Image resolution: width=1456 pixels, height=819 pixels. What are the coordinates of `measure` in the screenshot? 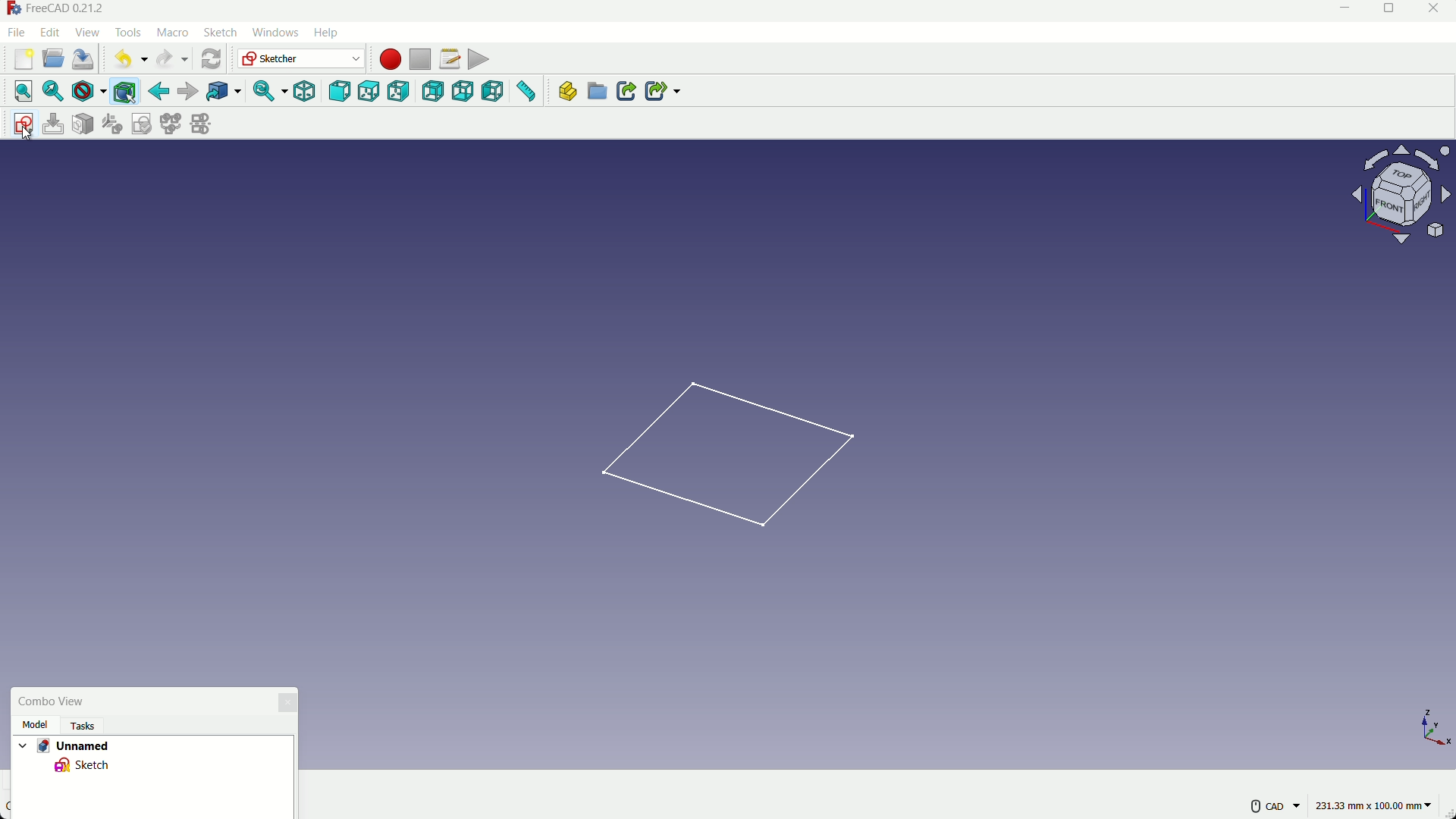 It's located at (525, 91).